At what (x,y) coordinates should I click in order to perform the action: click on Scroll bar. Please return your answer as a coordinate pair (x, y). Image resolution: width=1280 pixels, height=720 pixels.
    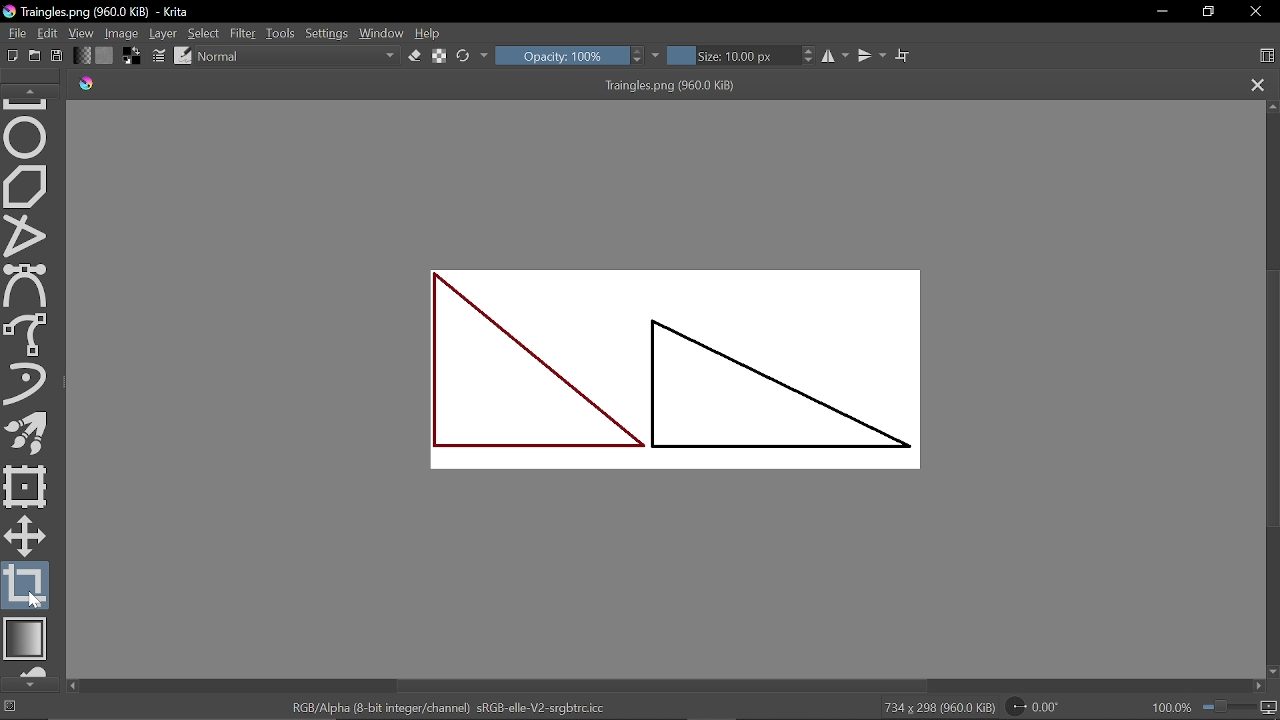
    Looking at the image, I should click on (1271, 401).